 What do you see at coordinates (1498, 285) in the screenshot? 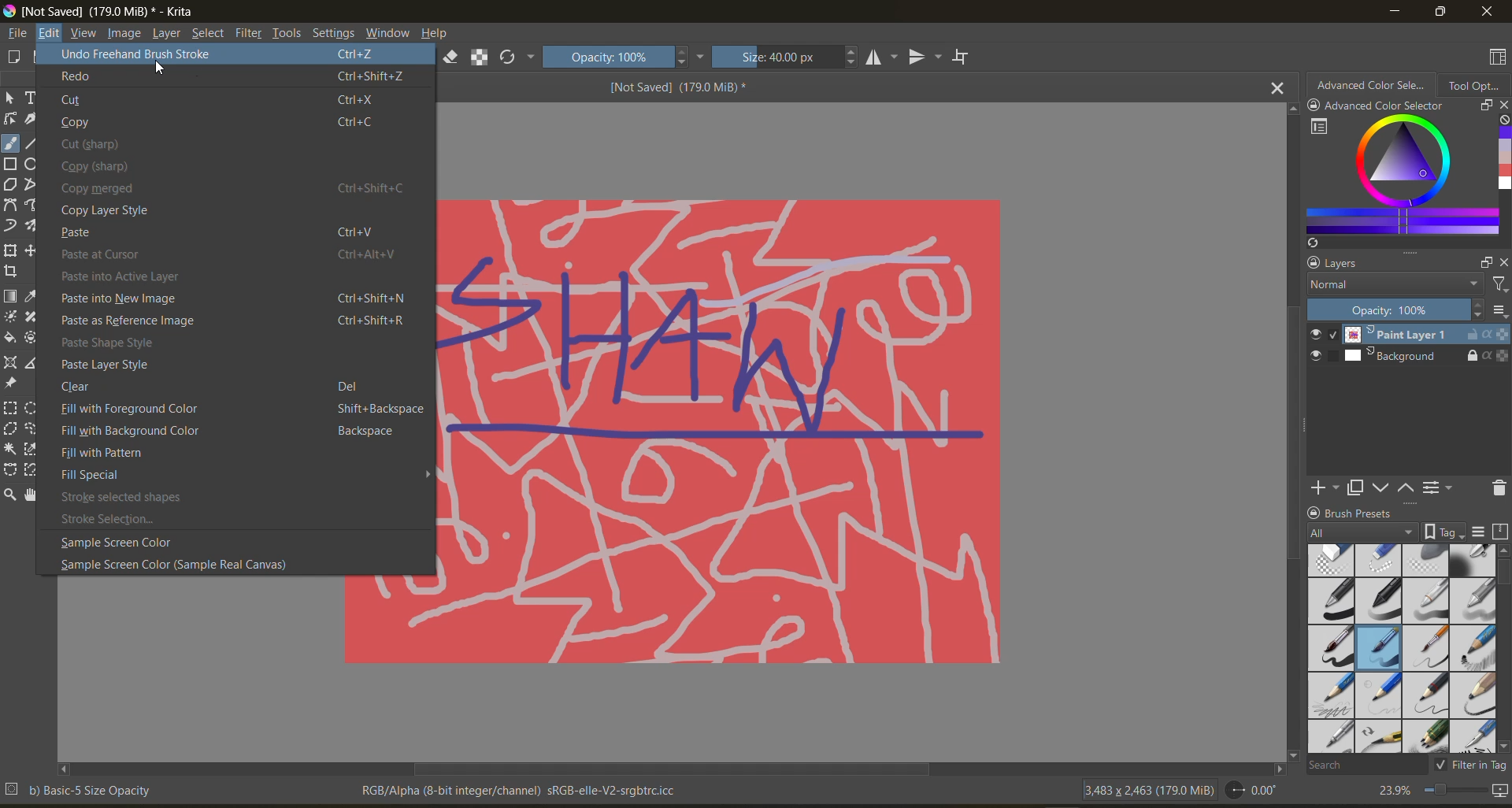
I see `filters` at bounding box center [1498, 285].